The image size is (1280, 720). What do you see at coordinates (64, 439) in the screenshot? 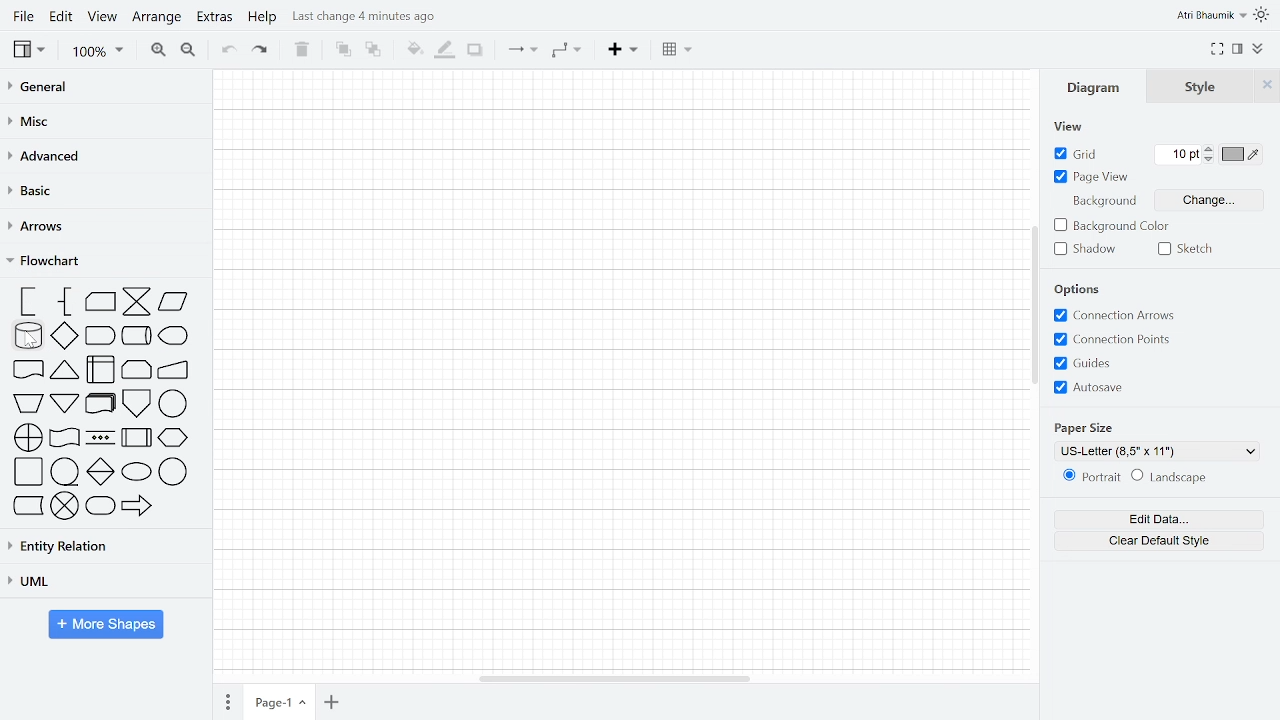
I see `tape` at bounding box center [64, 439].